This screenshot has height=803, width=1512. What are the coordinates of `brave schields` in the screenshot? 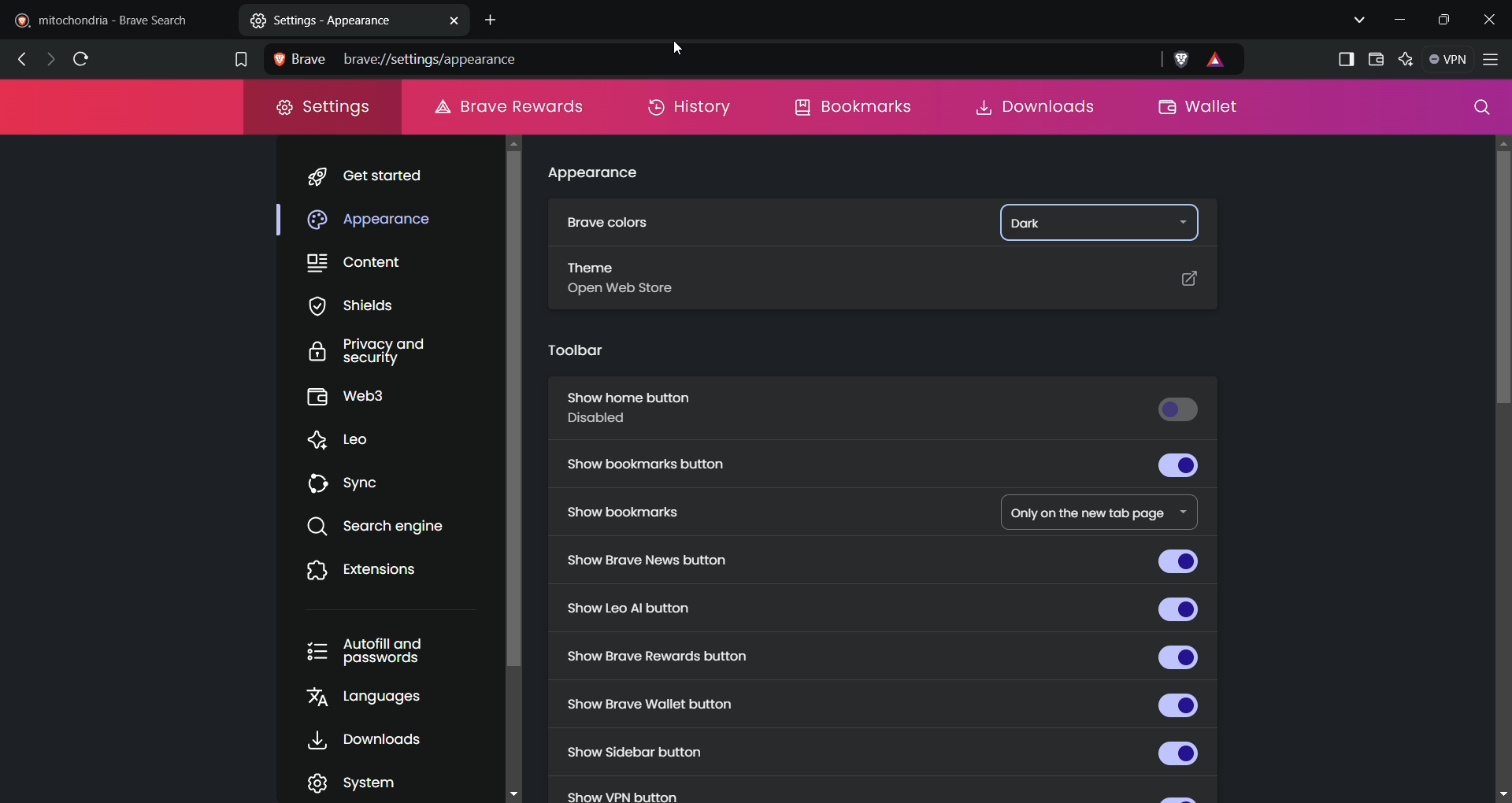 It's located at (1182, 58).